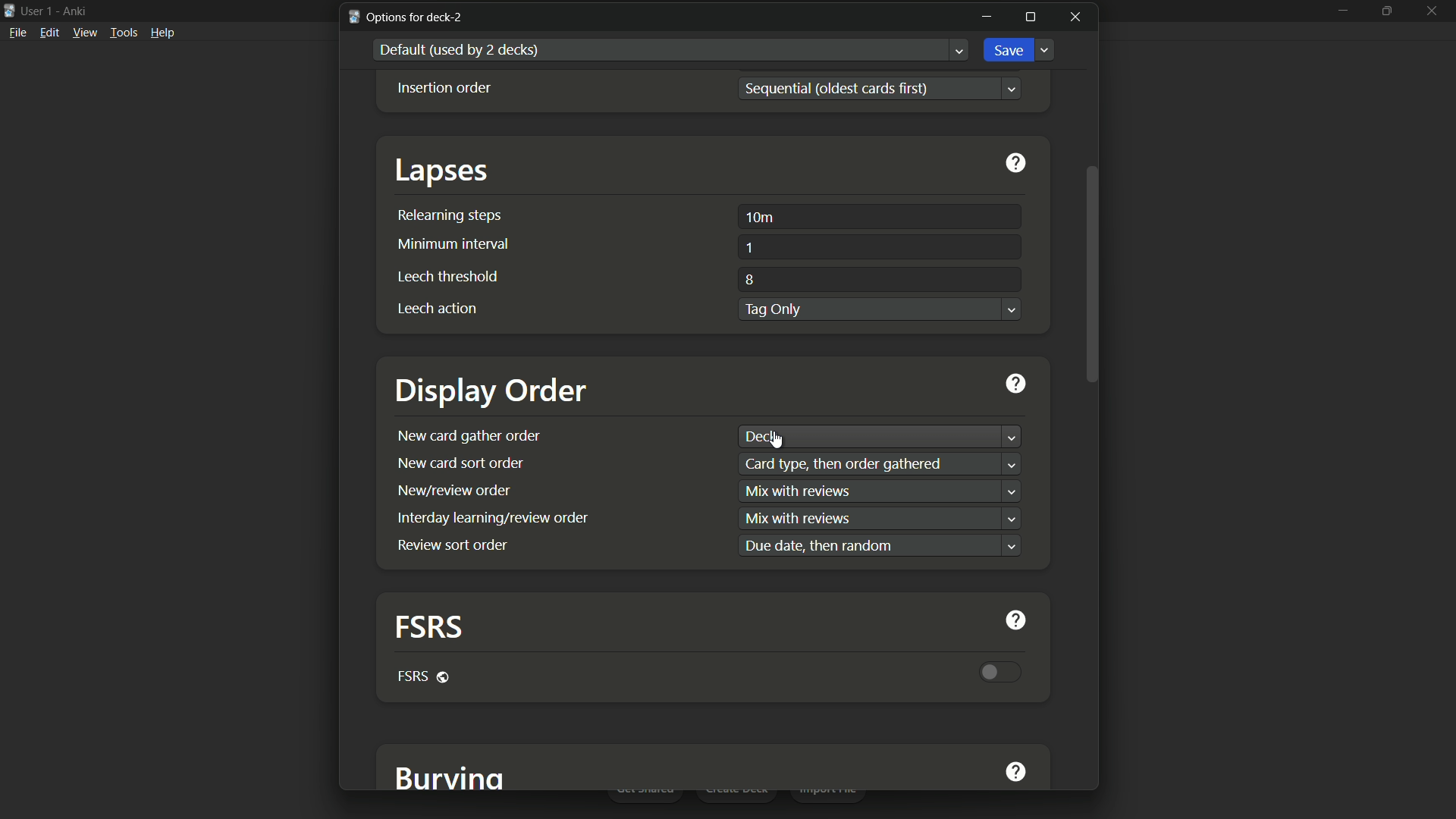  What do you see at coordinates (776, 439) in the screenshot?
I see `cursor` at bounding box center [776, 439].